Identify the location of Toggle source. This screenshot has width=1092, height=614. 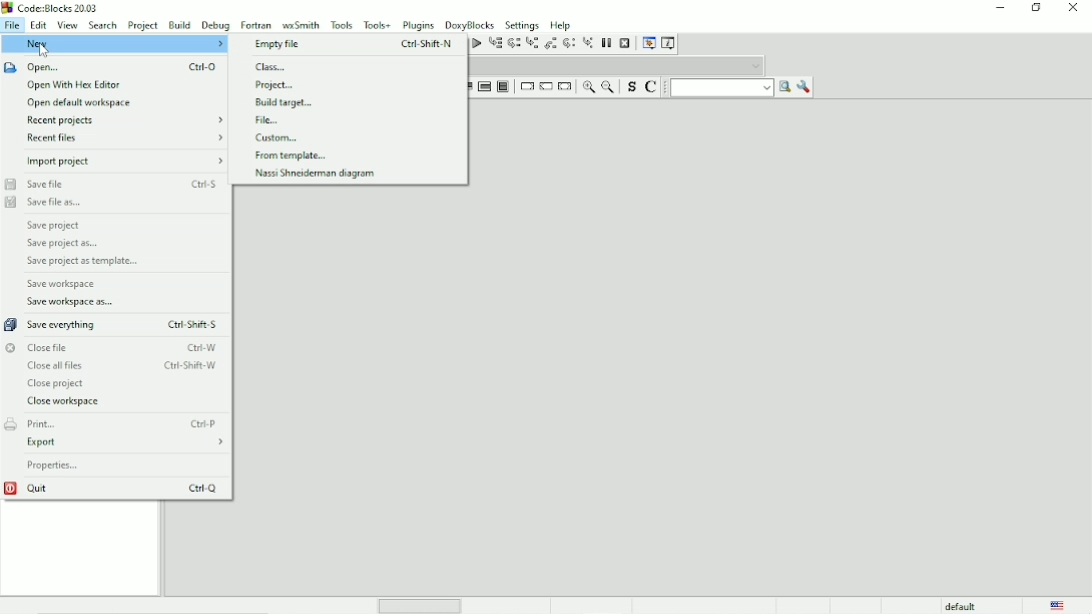
(629, 87).